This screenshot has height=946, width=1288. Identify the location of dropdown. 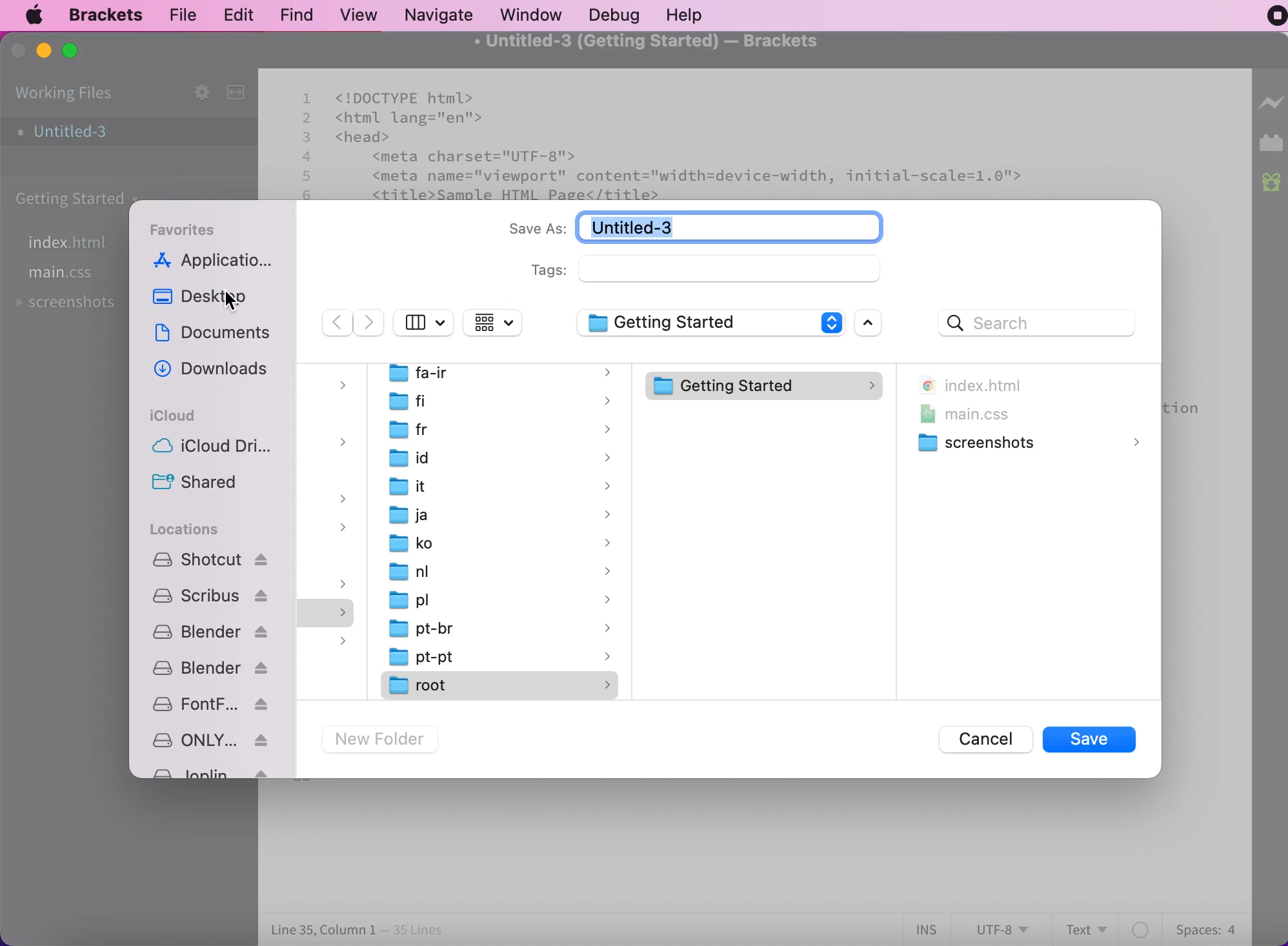
(343, 528).